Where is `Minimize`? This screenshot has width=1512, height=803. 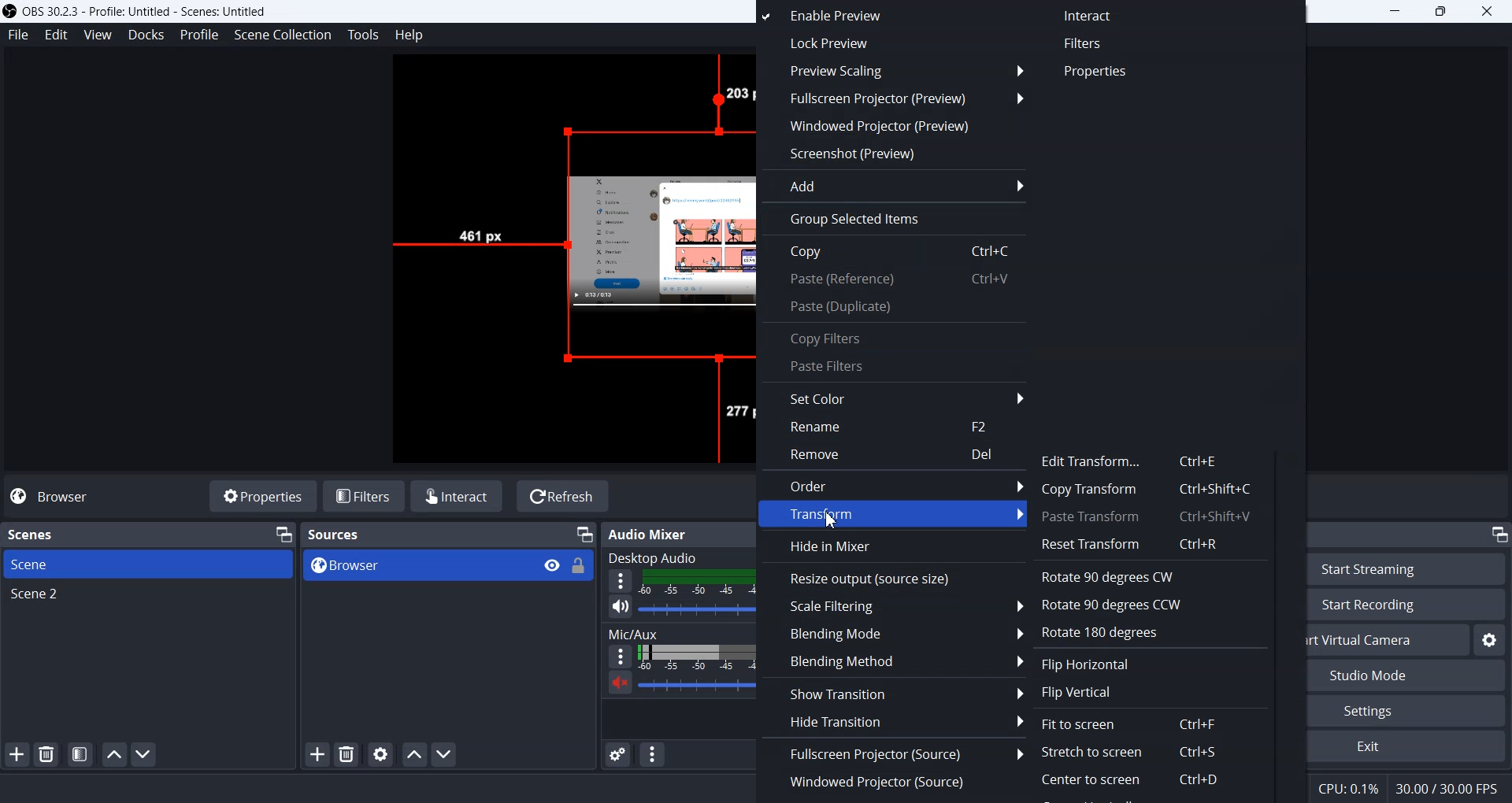
Minimize is located at coordinates (1498, 534).